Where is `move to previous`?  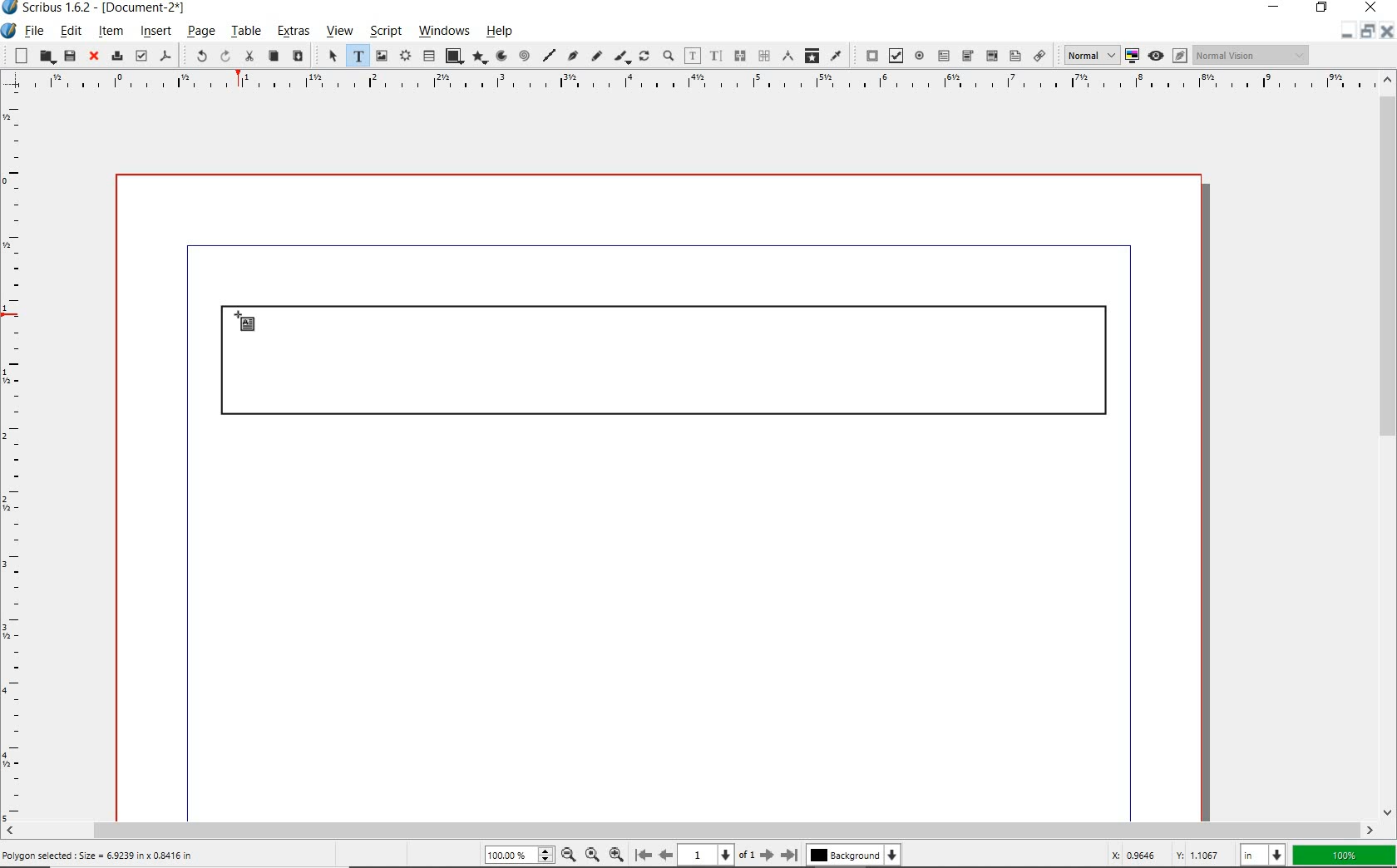
move to previous is located at coordinates (665, 853).